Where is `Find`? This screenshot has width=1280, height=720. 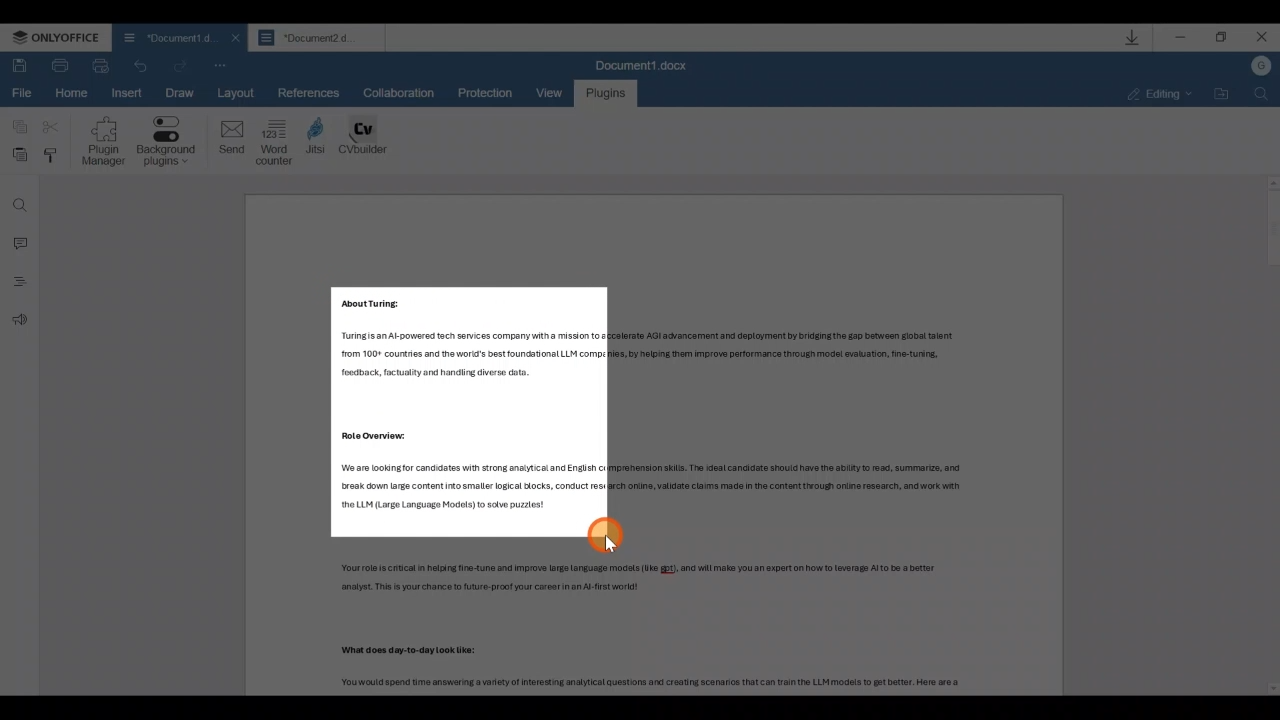
Find is located at coordinates (1262, 98).